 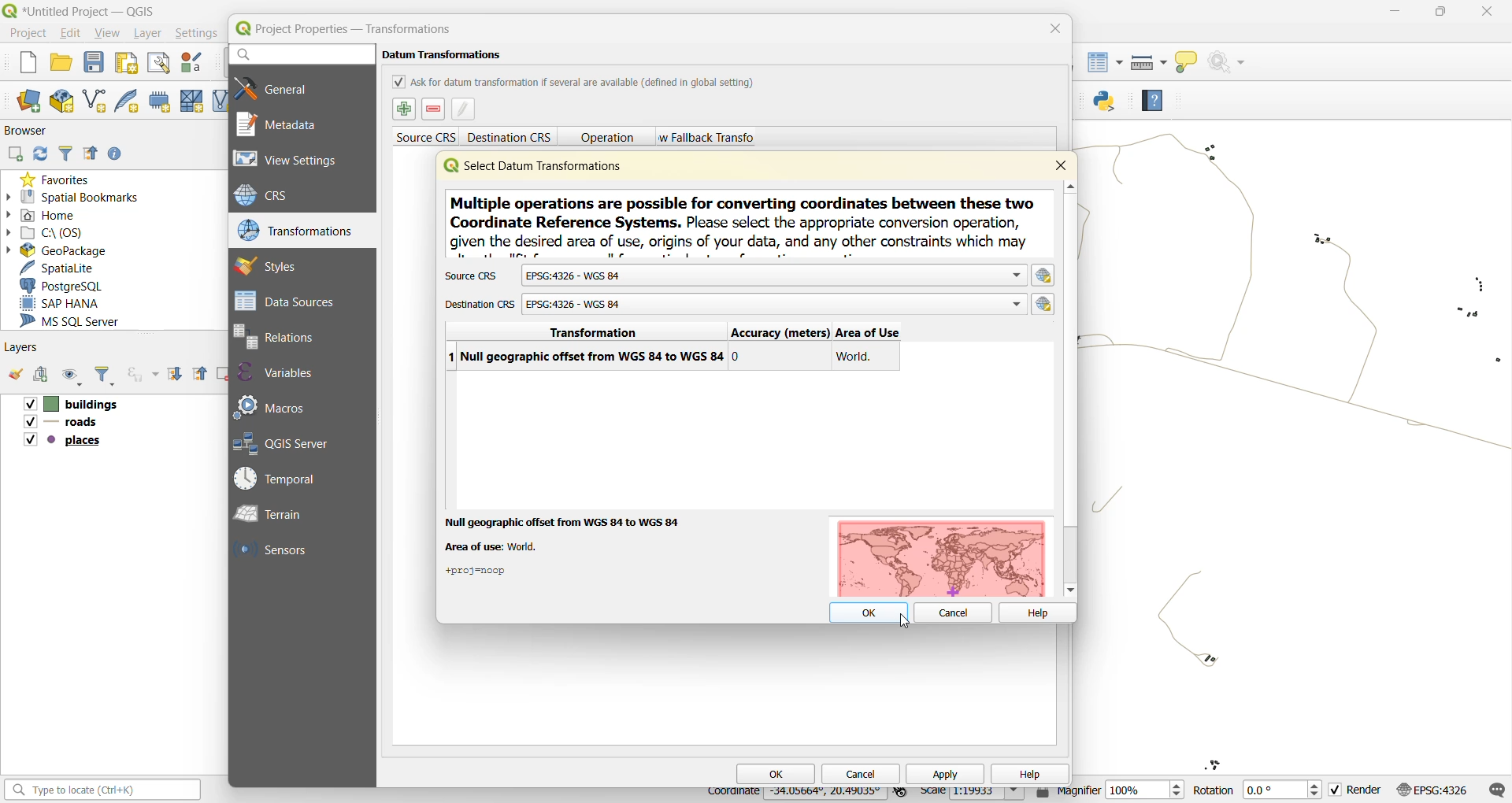 I want to click on close, so click(x=1055, y=166).